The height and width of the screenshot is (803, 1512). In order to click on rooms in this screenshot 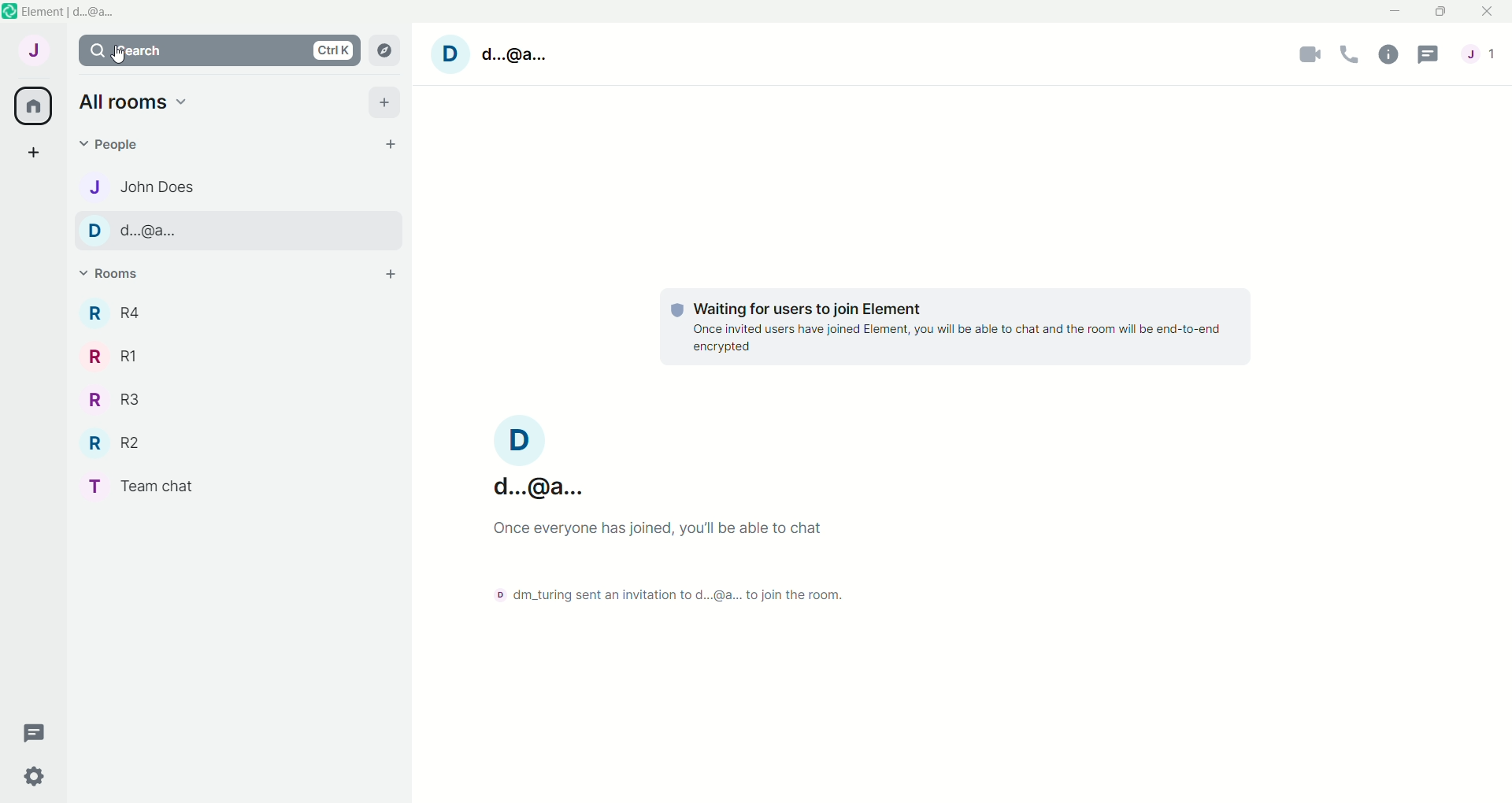, I will do `click(115, 276)`.